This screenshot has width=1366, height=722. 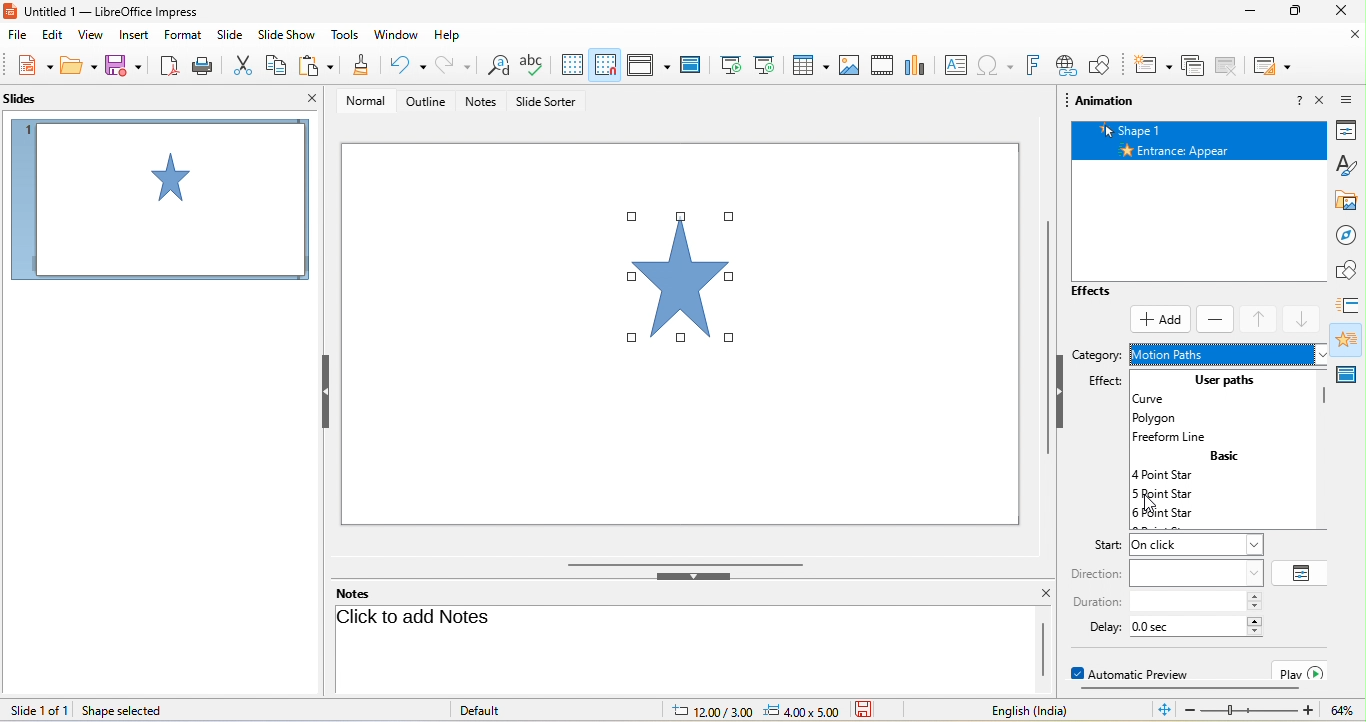 I want to click on slide1, so click(x=159, y=203).